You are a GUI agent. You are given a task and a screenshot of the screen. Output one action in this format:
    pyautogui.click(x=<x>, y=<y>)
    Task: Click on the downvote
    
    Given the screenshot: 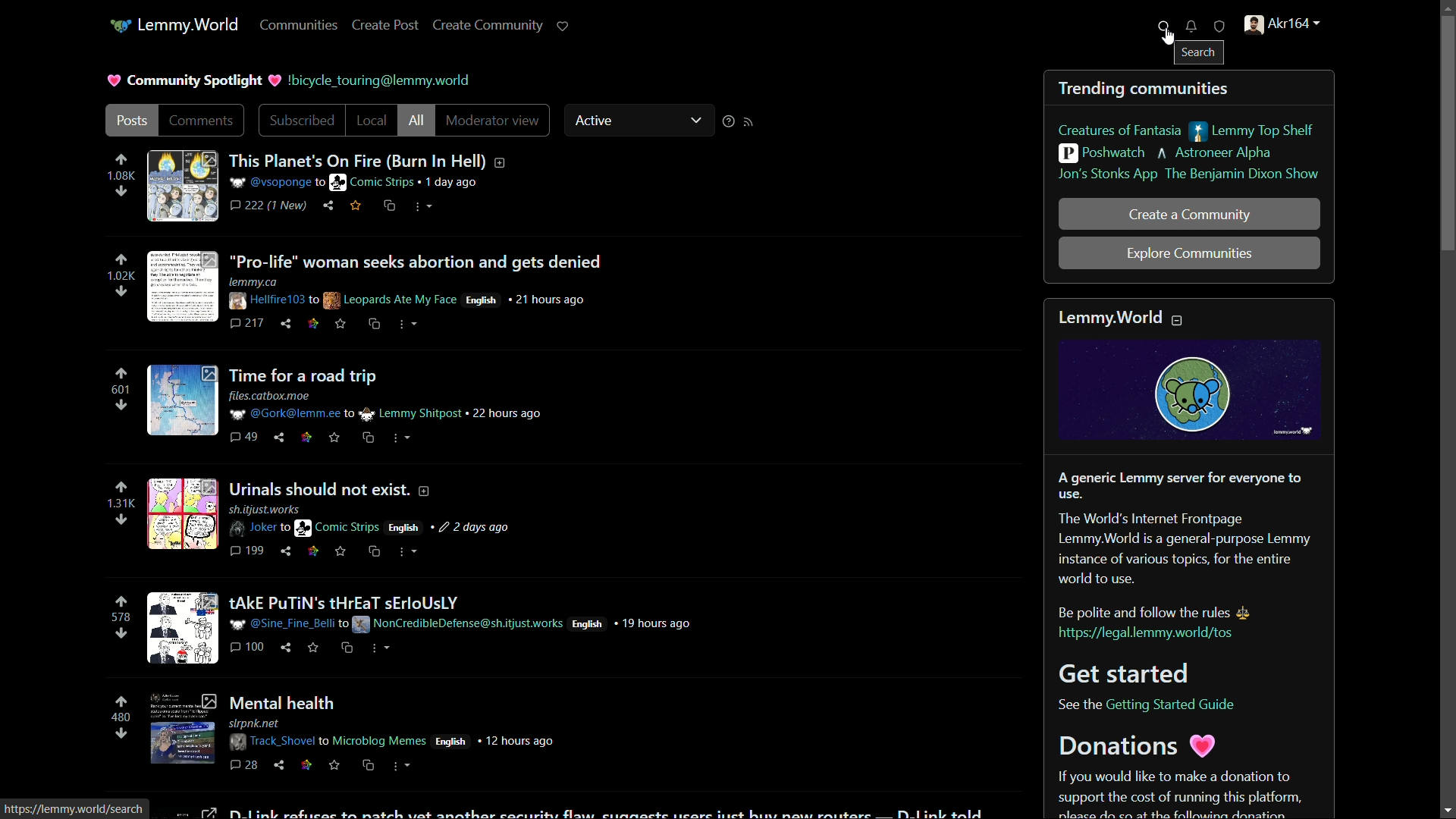 What is the action you would take?
    pyautogui.click(x=121, y=406)
    